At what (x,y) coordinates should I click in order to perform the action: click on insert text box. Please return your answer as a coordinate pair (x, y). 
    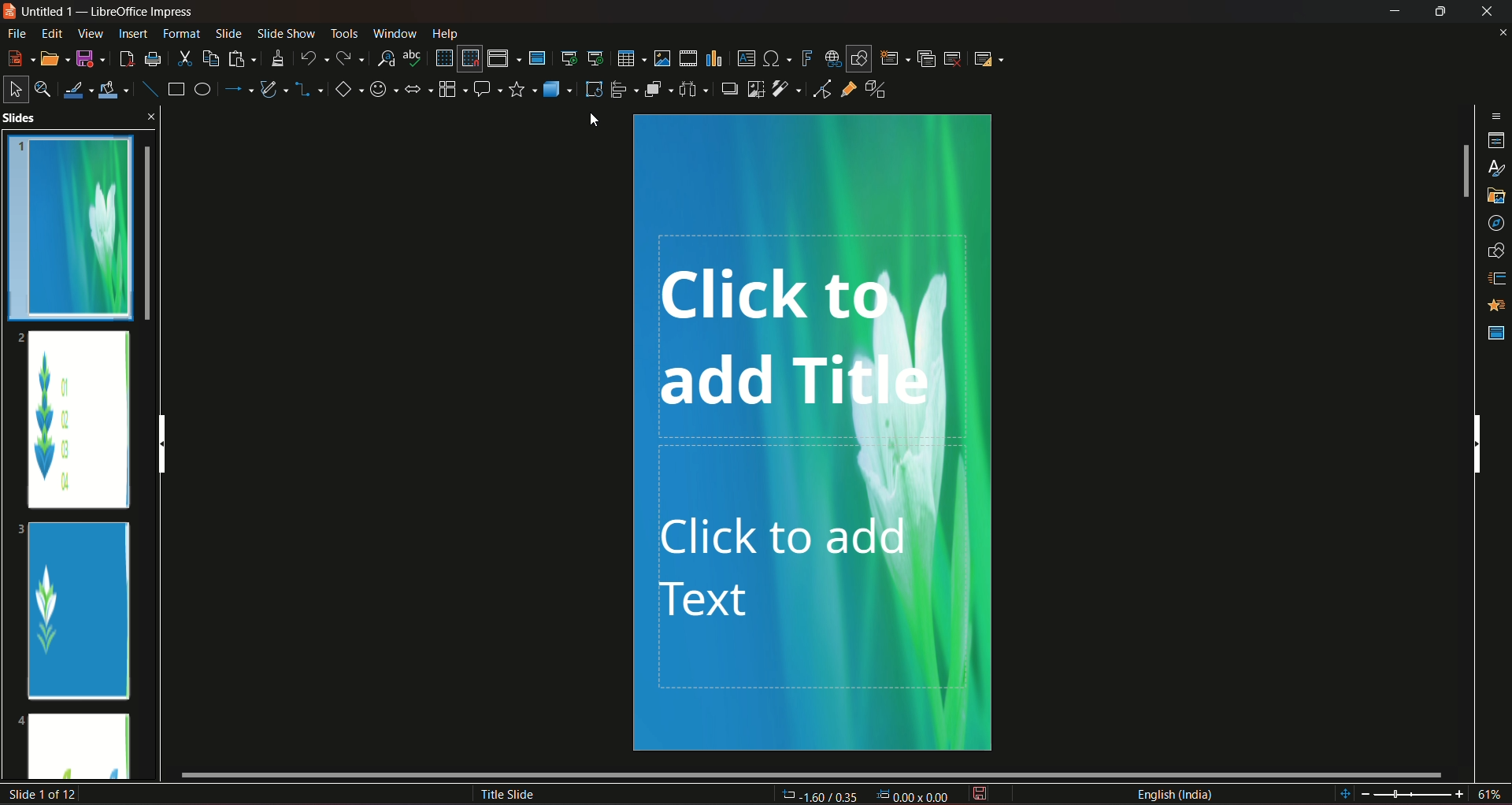
    Looking at the image, I should click on (746, 57).